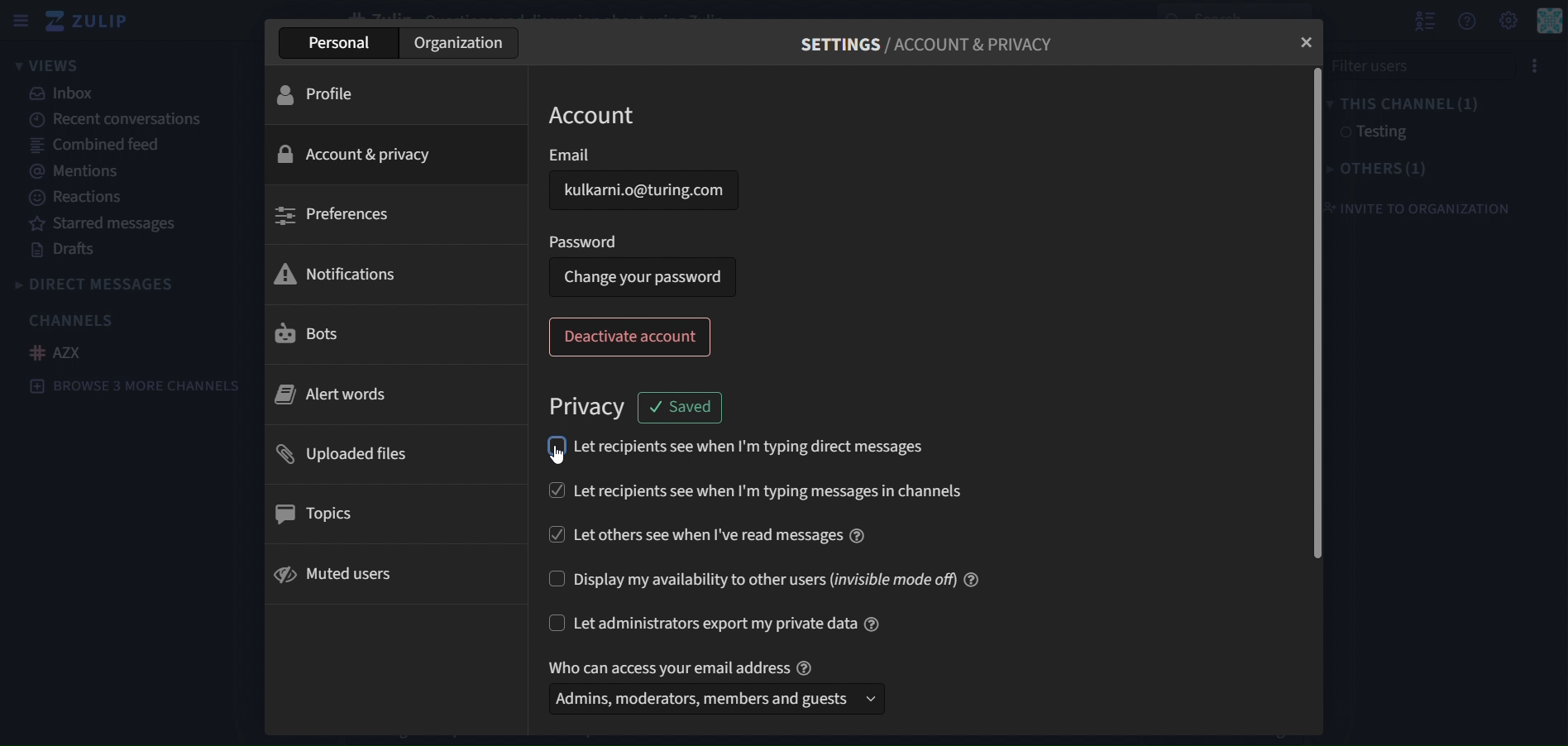  Describe the element at coordinates (757, 489) in the screenshot. I see `let recipients see when I'm typing messages in channels` at that location.